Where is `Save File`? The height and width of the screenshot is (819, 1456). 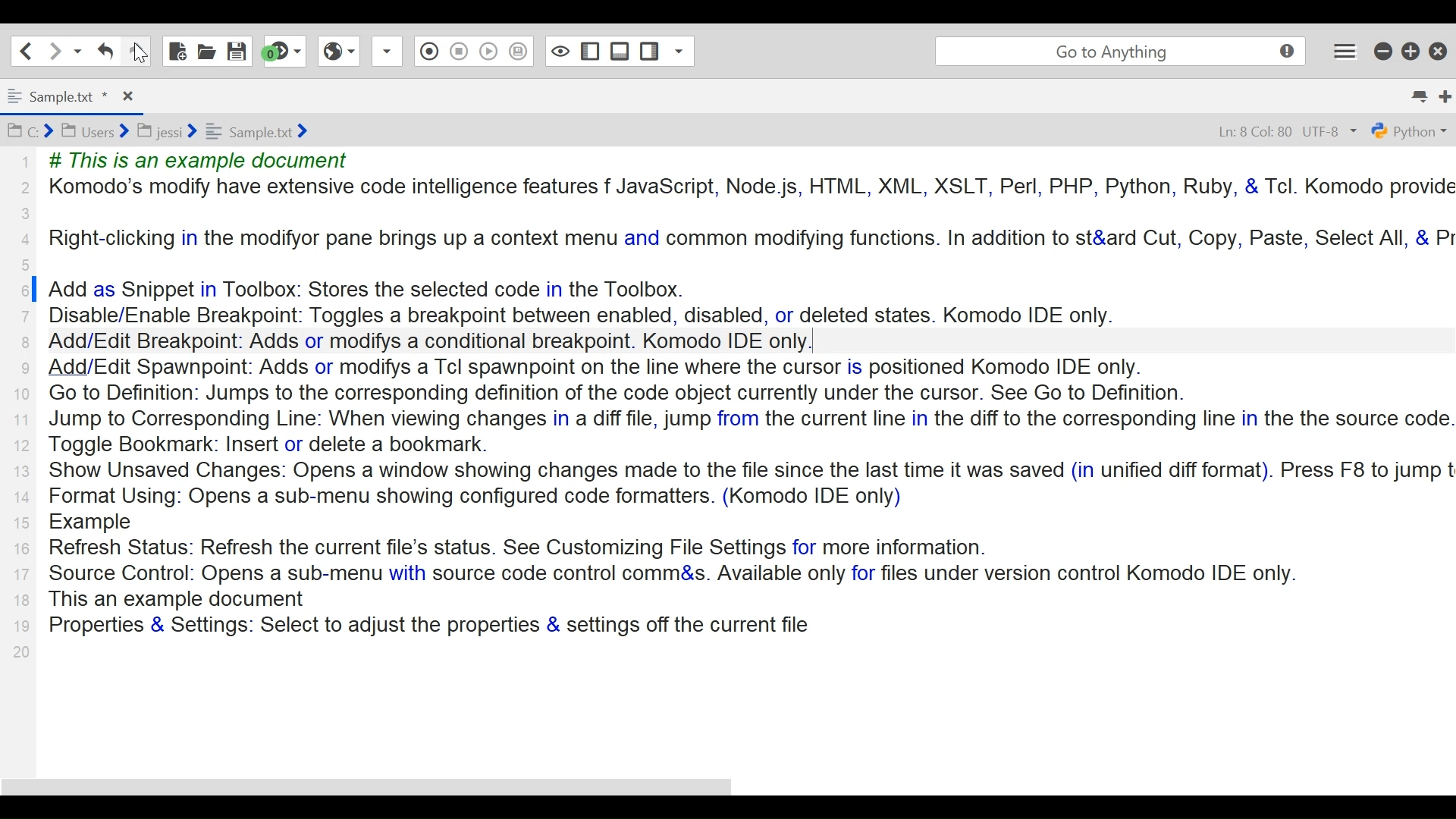 Save File is located at coordinates (237, 50).